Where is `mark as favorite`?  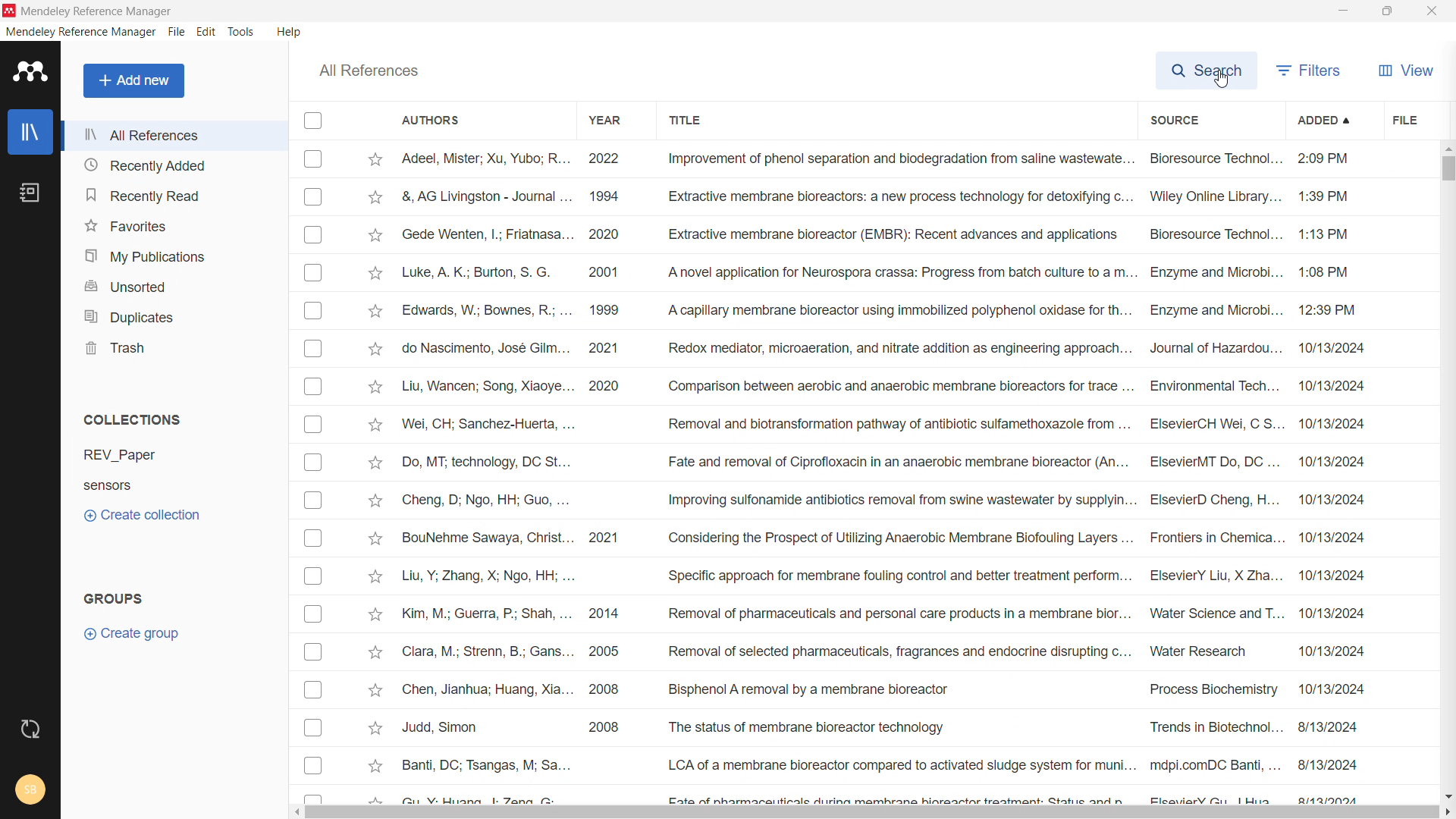 mark as favorite is located at coordinates (376, 159).